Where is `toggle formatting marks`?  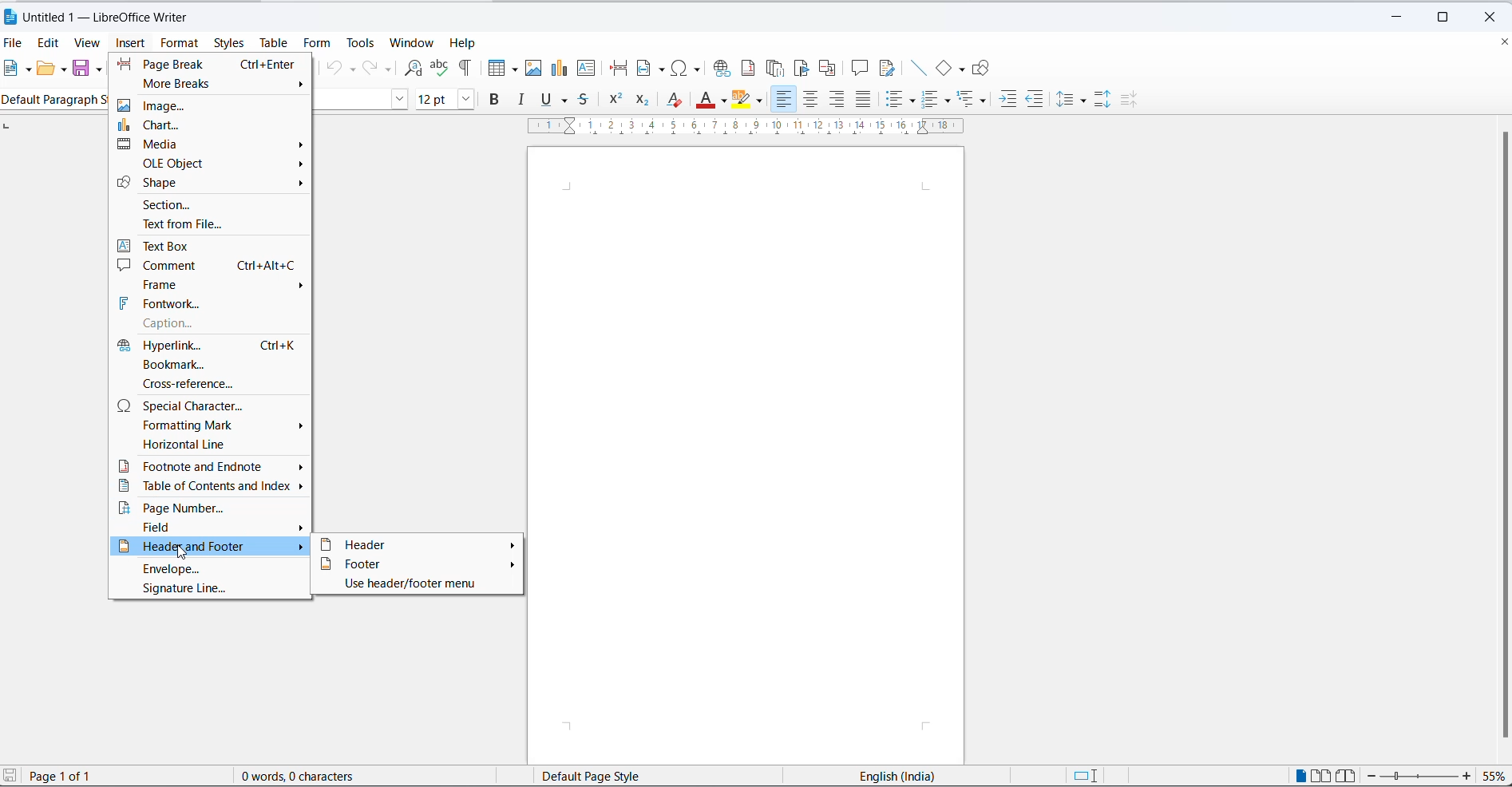
toggle formatting marks is located at coordinates (467, 68).